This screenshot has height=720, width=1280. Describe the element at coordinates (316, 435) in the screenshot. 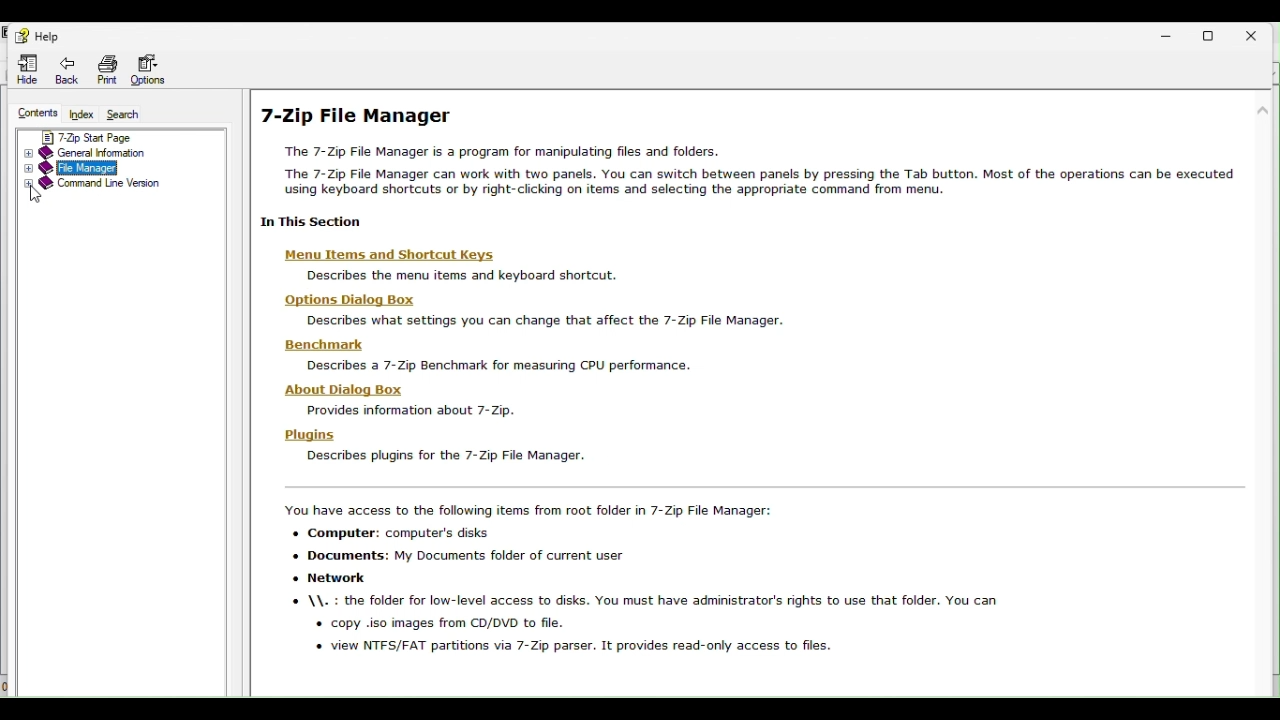

I see `Plugins` at that location.